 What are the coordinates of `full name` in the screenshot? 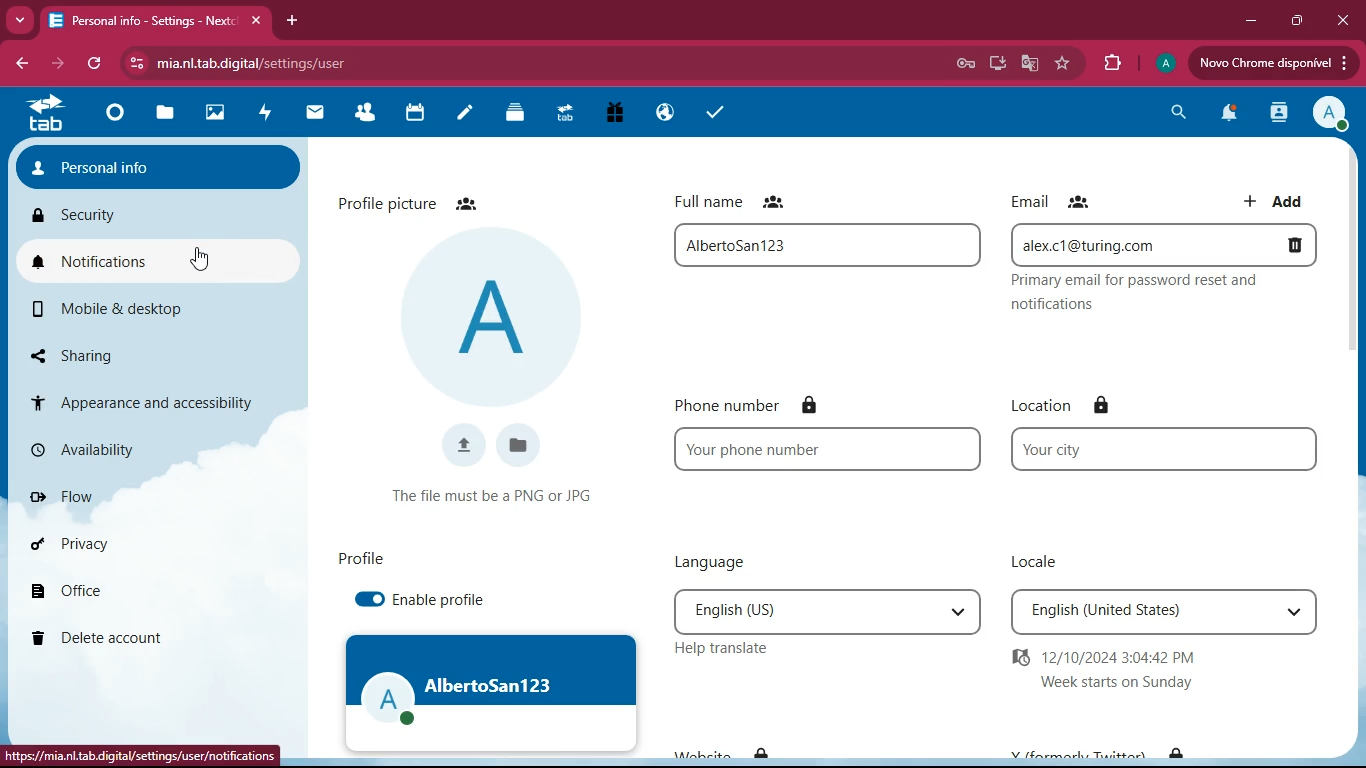 It's located at (829, 246).